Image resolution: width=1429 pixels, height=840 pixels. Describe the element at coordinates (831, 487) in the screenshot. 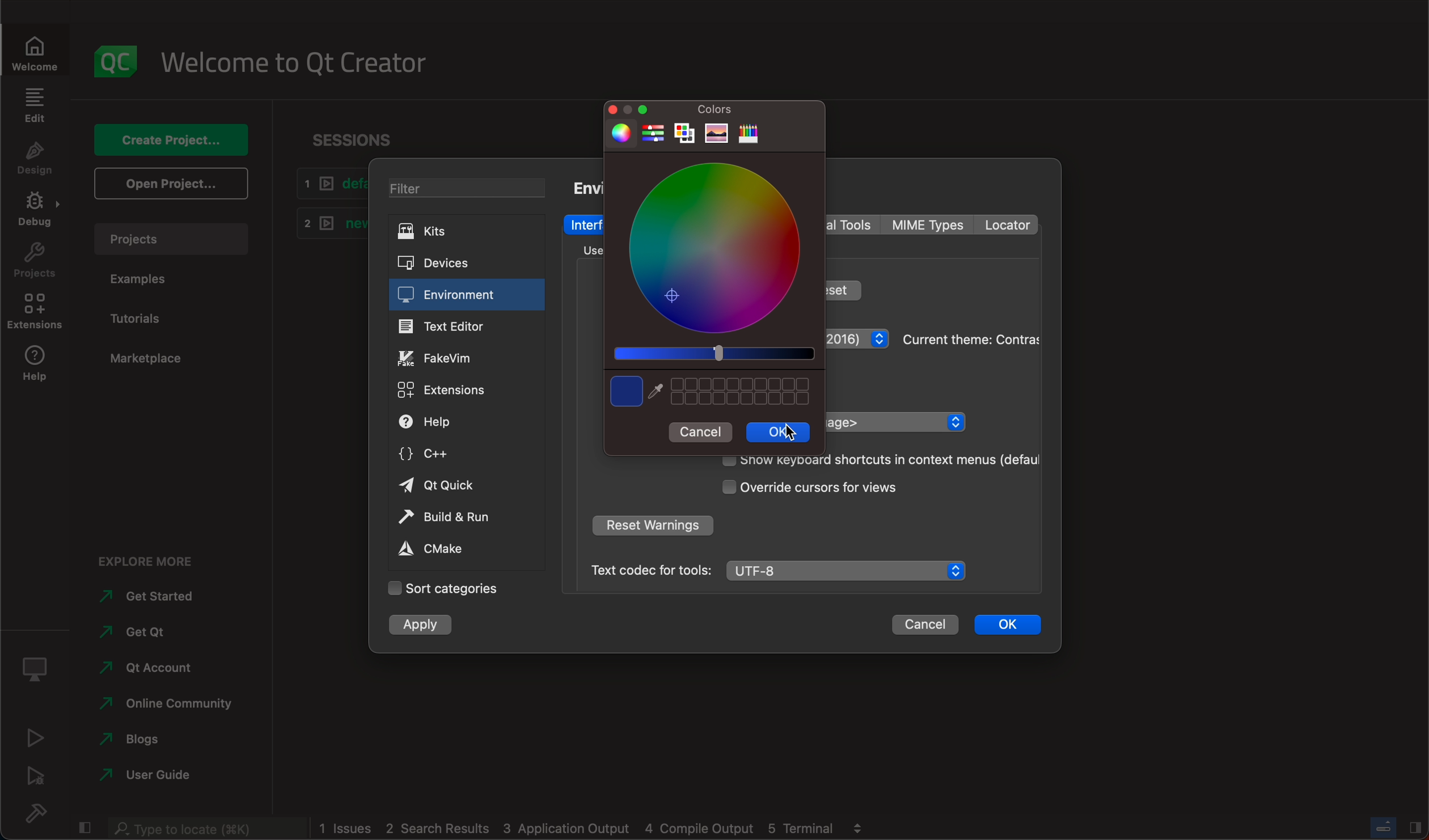

I see `cursor` at that location.